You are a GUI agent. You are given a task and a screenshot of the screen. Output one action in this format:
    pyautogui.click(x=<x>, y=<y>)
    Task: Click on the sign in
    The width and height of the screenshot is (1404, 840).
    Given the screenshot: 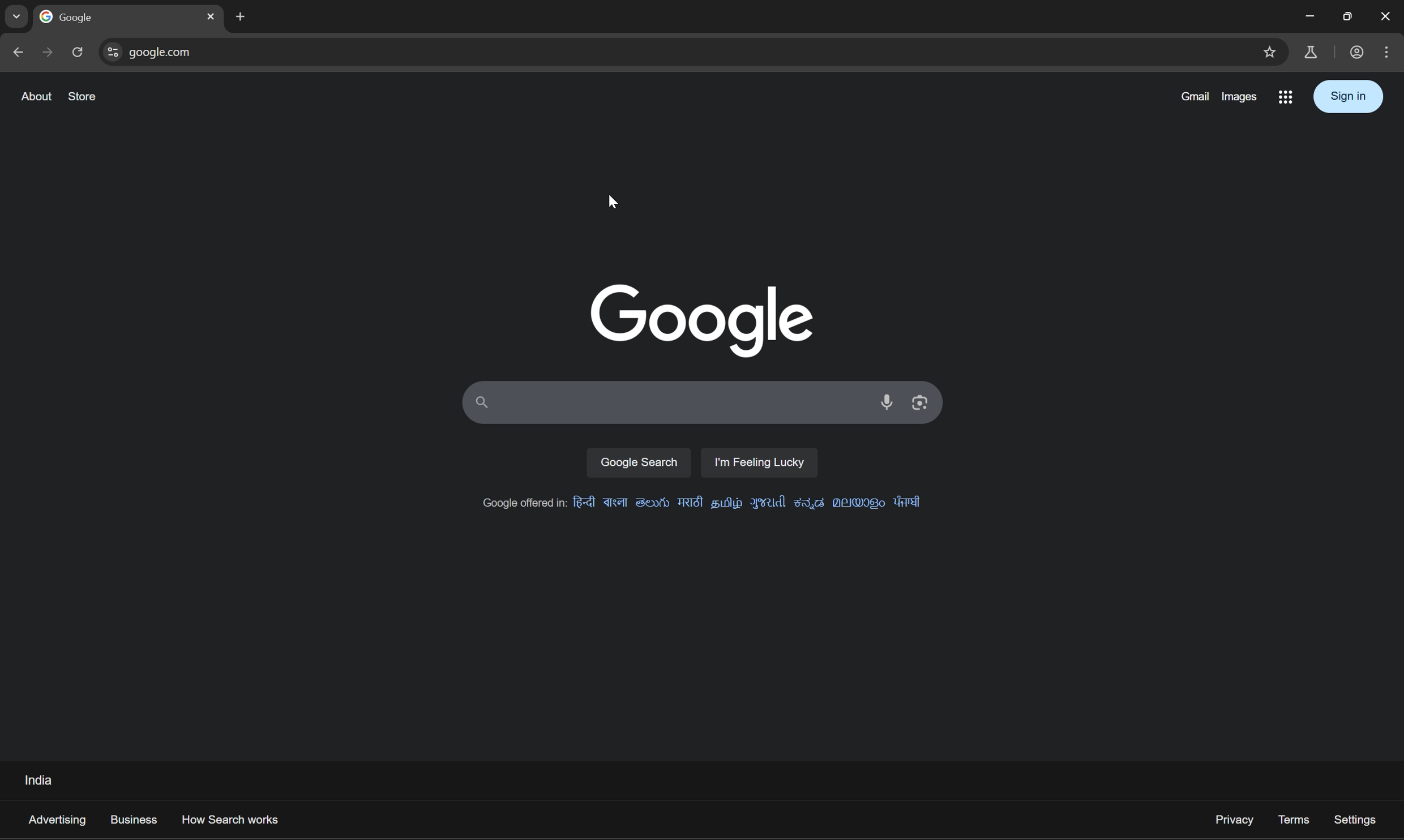 What is the action you would take?
    pyautogui.click(x=1347, y=96)
    